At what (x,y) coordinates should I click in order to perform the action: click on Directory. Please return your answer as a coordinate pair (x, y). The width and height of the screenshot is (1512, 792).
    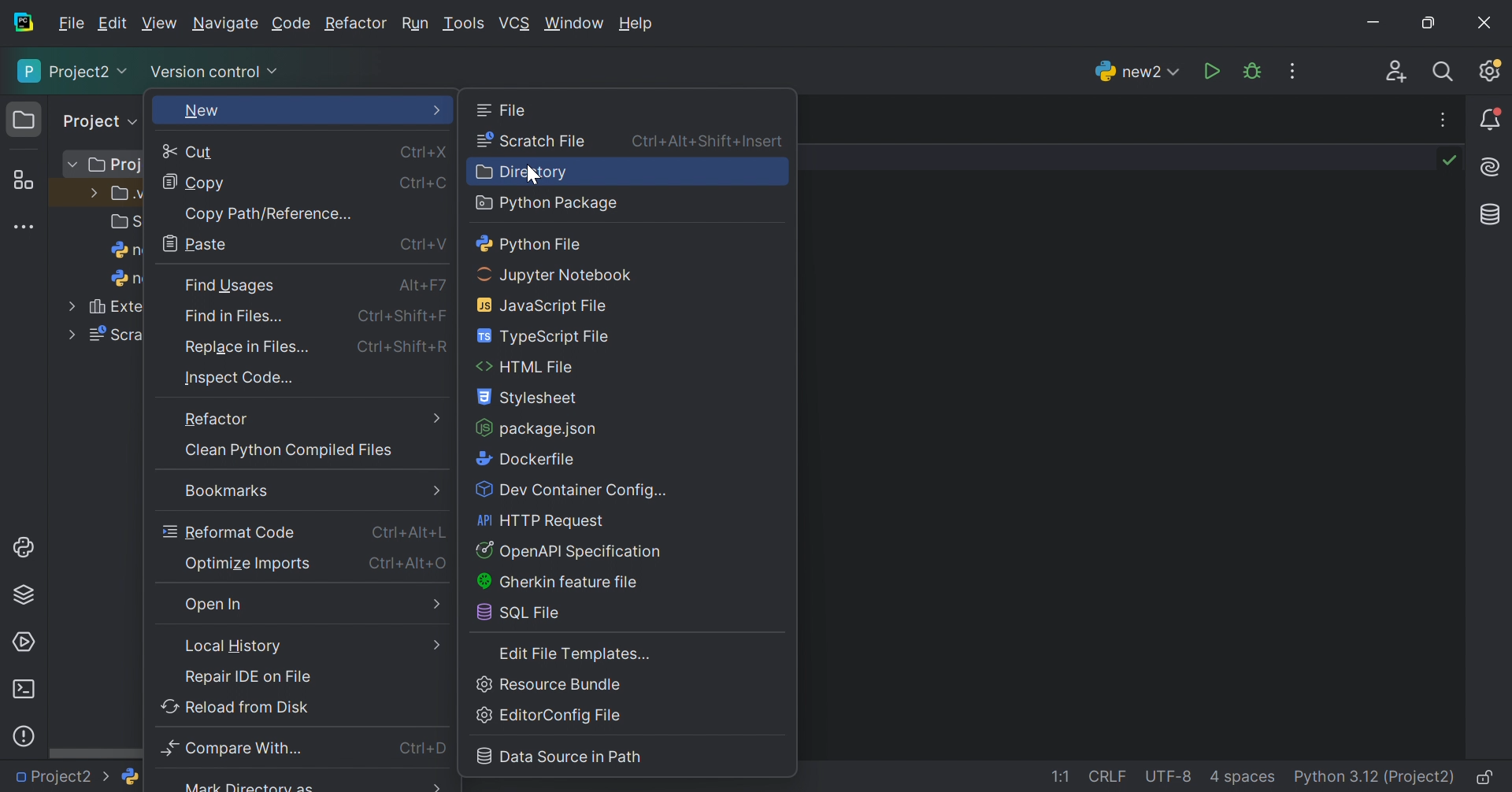
    Looking at the image, I should click on (521, 172).